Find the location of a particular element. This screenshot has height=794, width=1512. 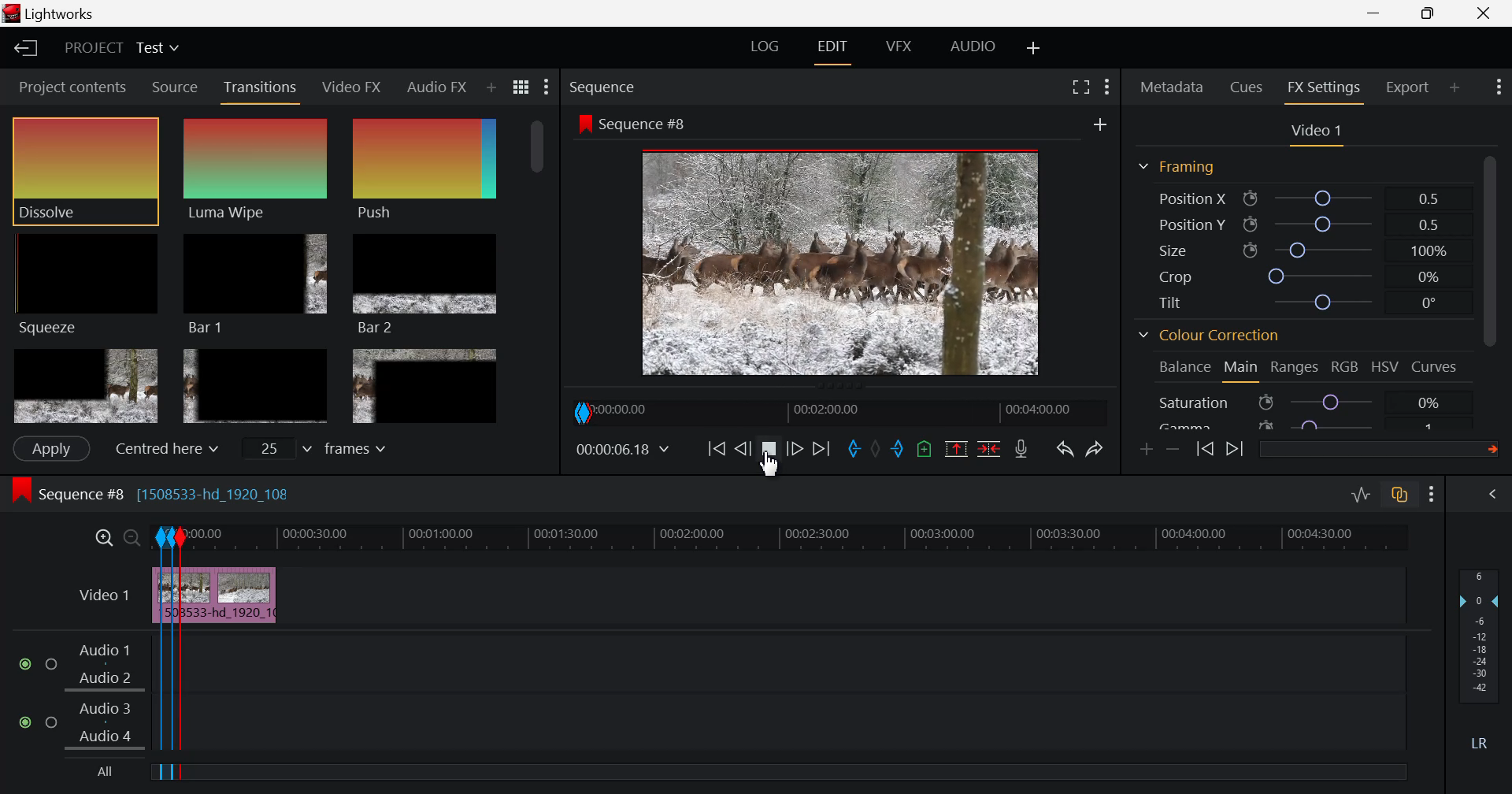

Balance is located at coordinates (1185, 368).